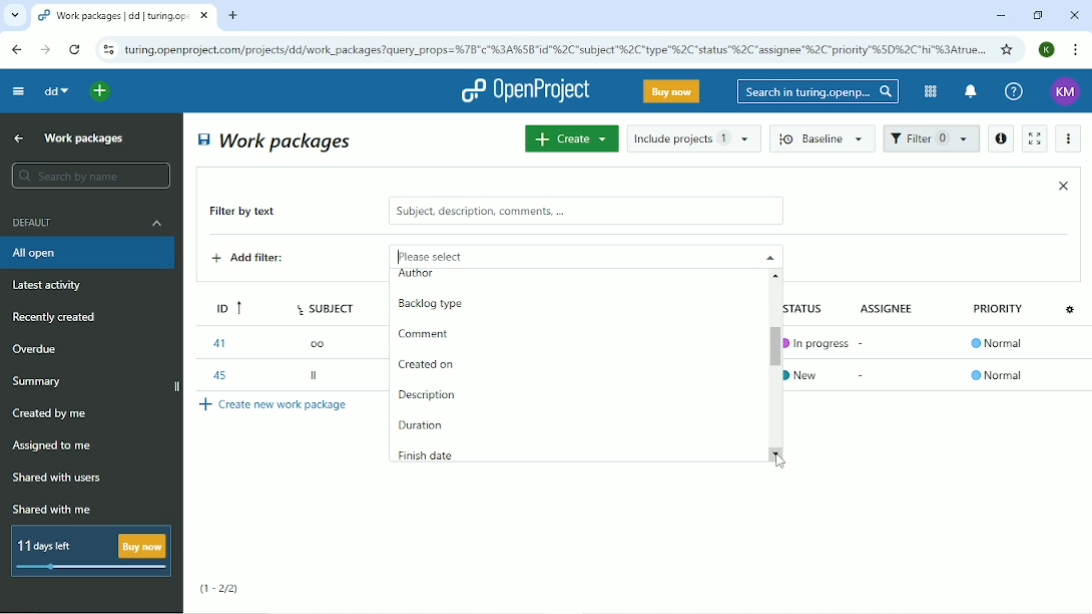 This screenshot has width=1092, height=614. I want to click on Customize and control google chrome, so click(1077, 50).